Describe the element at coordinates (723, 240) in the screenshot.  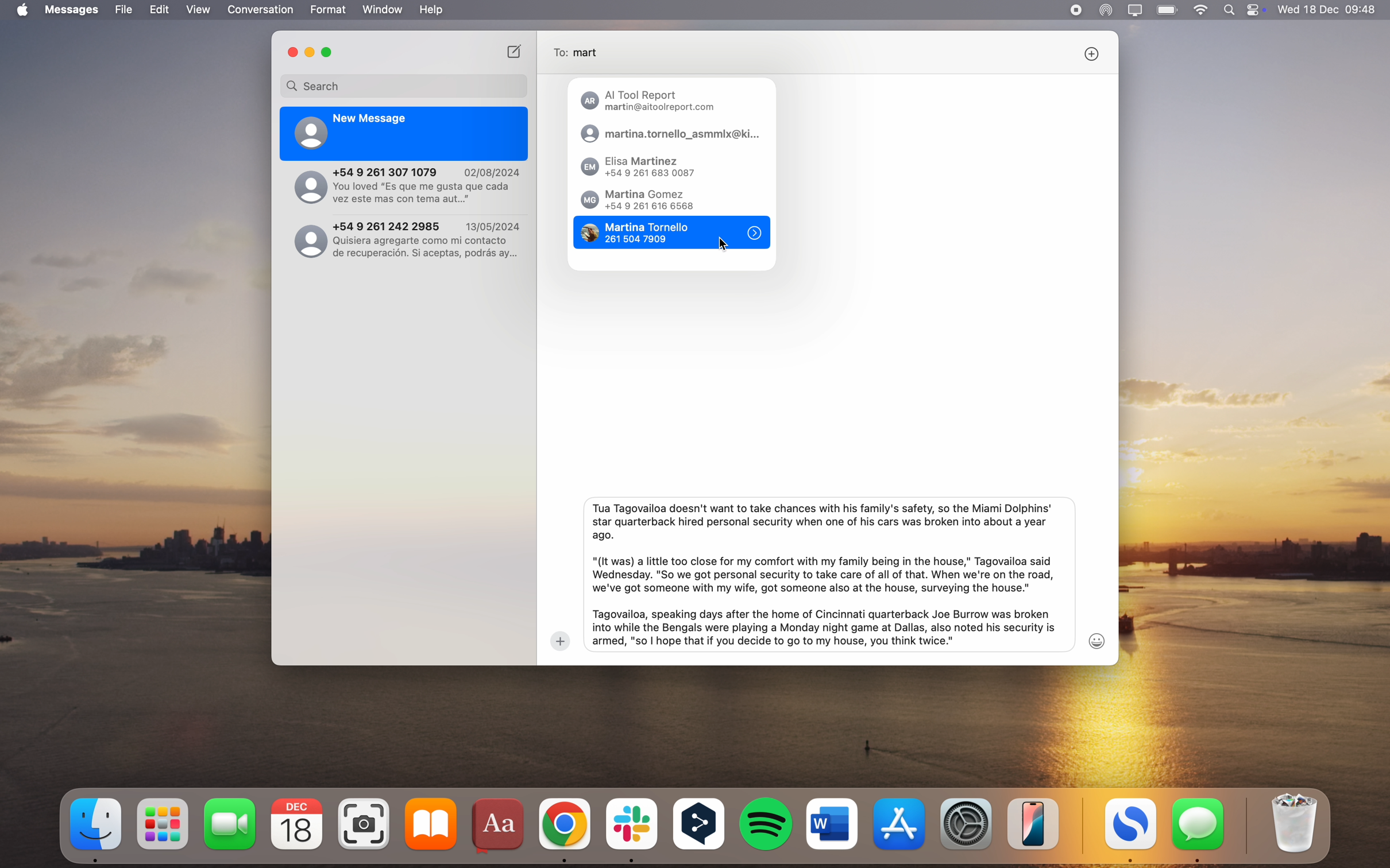
I see `cursor` at that location.